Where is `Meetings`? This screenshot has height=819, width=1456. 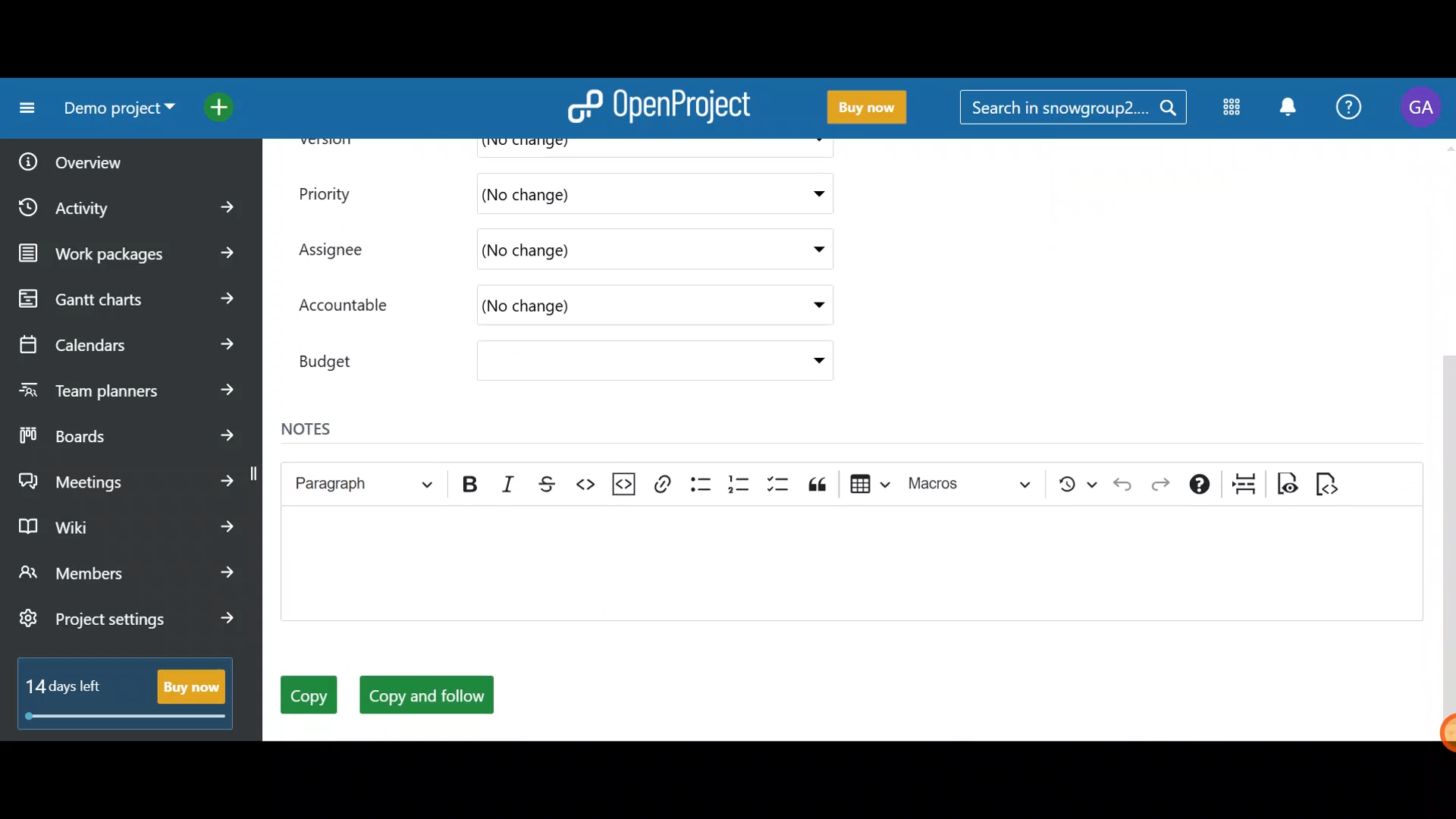 Meetings is located at coordinates (127, 478).